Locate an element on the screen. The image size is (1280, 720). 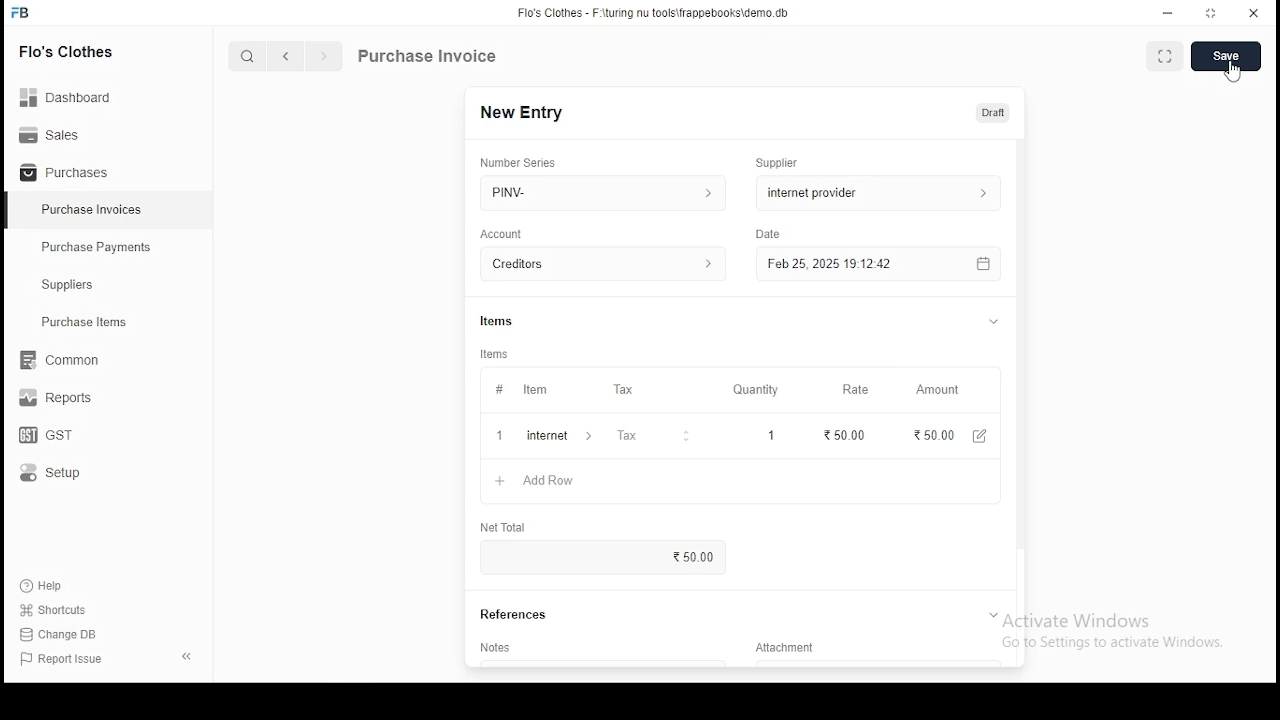
gst is located at coordinates (46, 437).